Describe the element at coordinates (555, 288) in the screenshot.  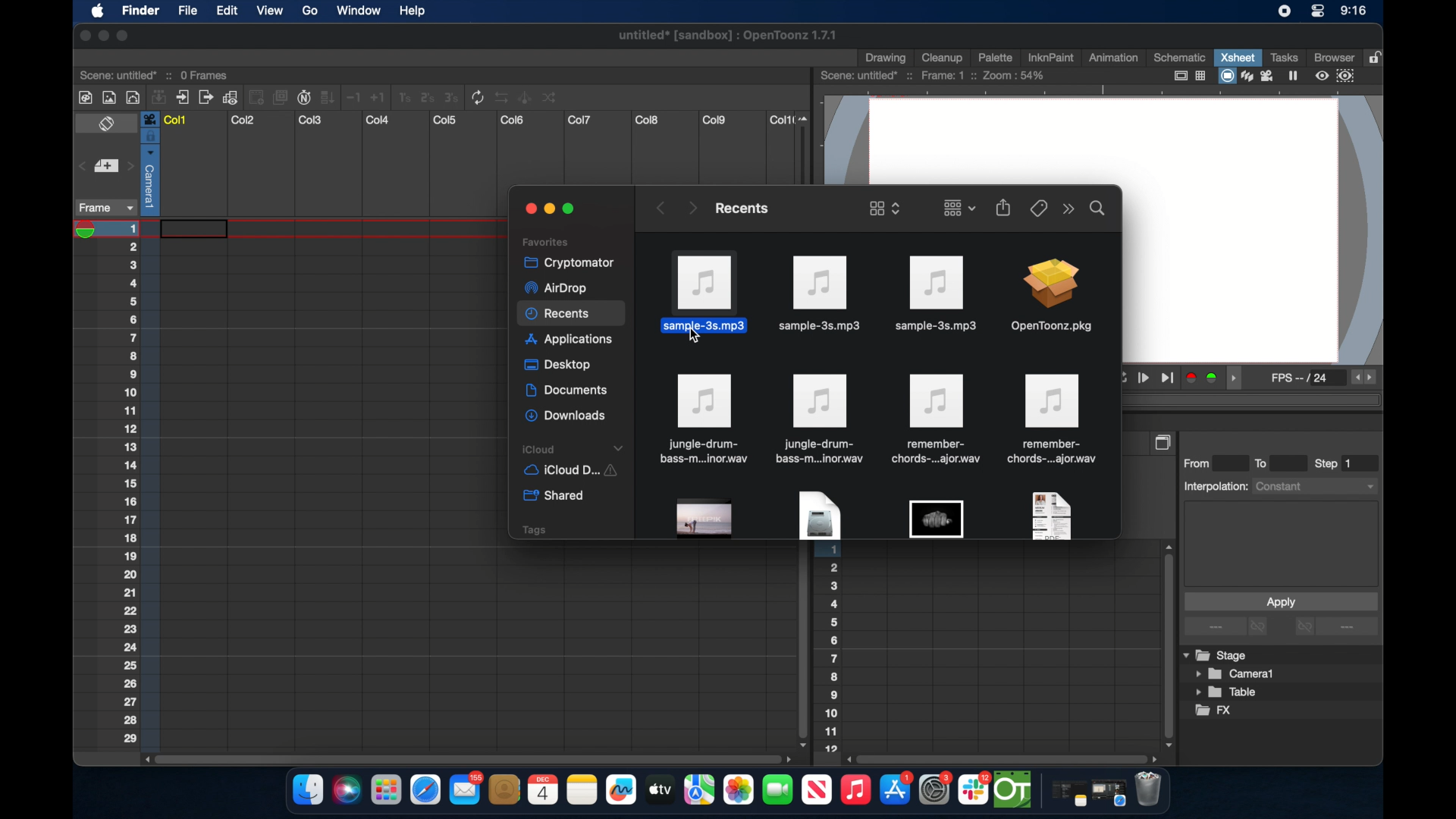
I see `airdrop` at that location.